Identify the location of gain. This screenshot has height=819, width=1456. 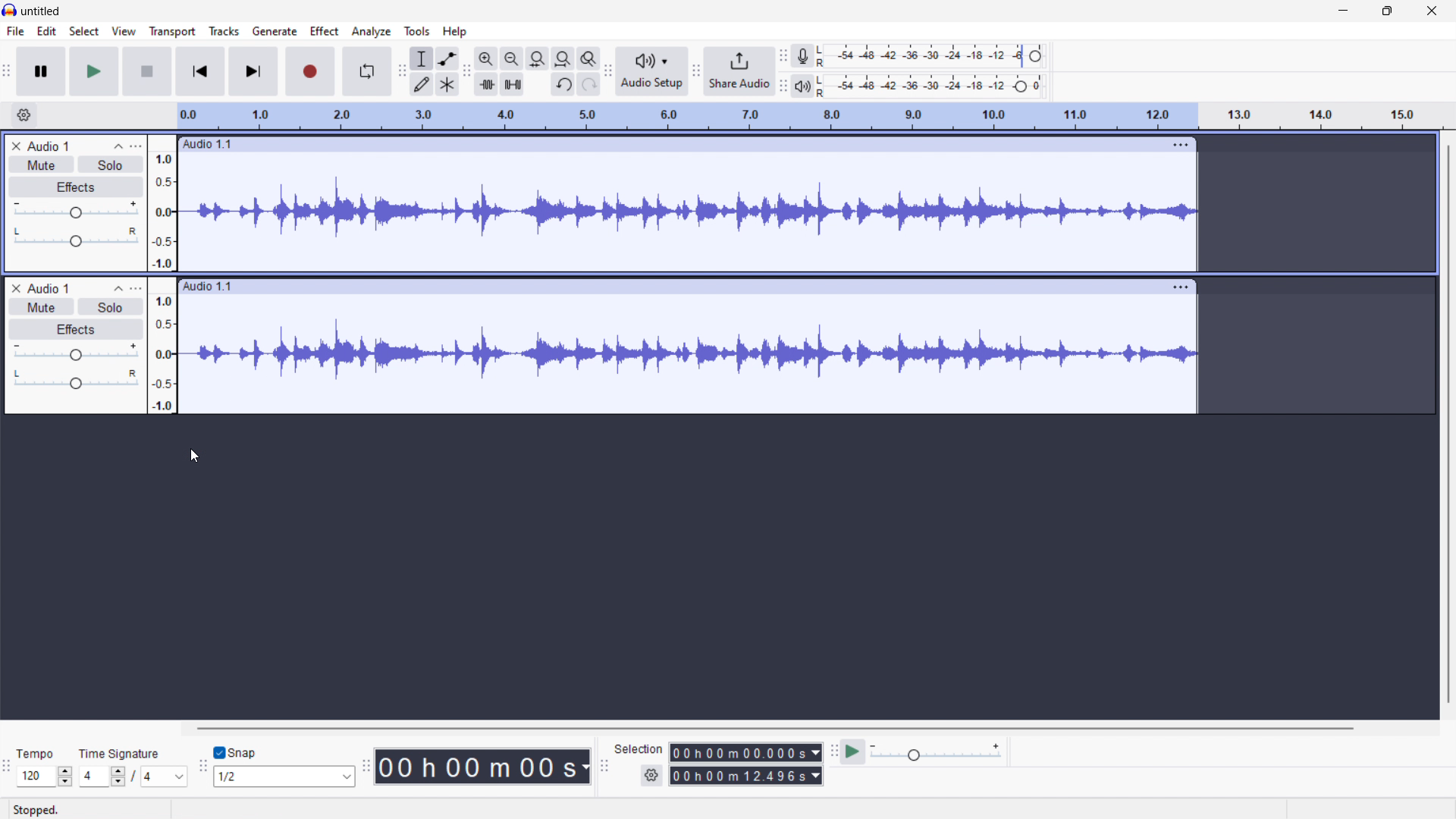
(76, 212).